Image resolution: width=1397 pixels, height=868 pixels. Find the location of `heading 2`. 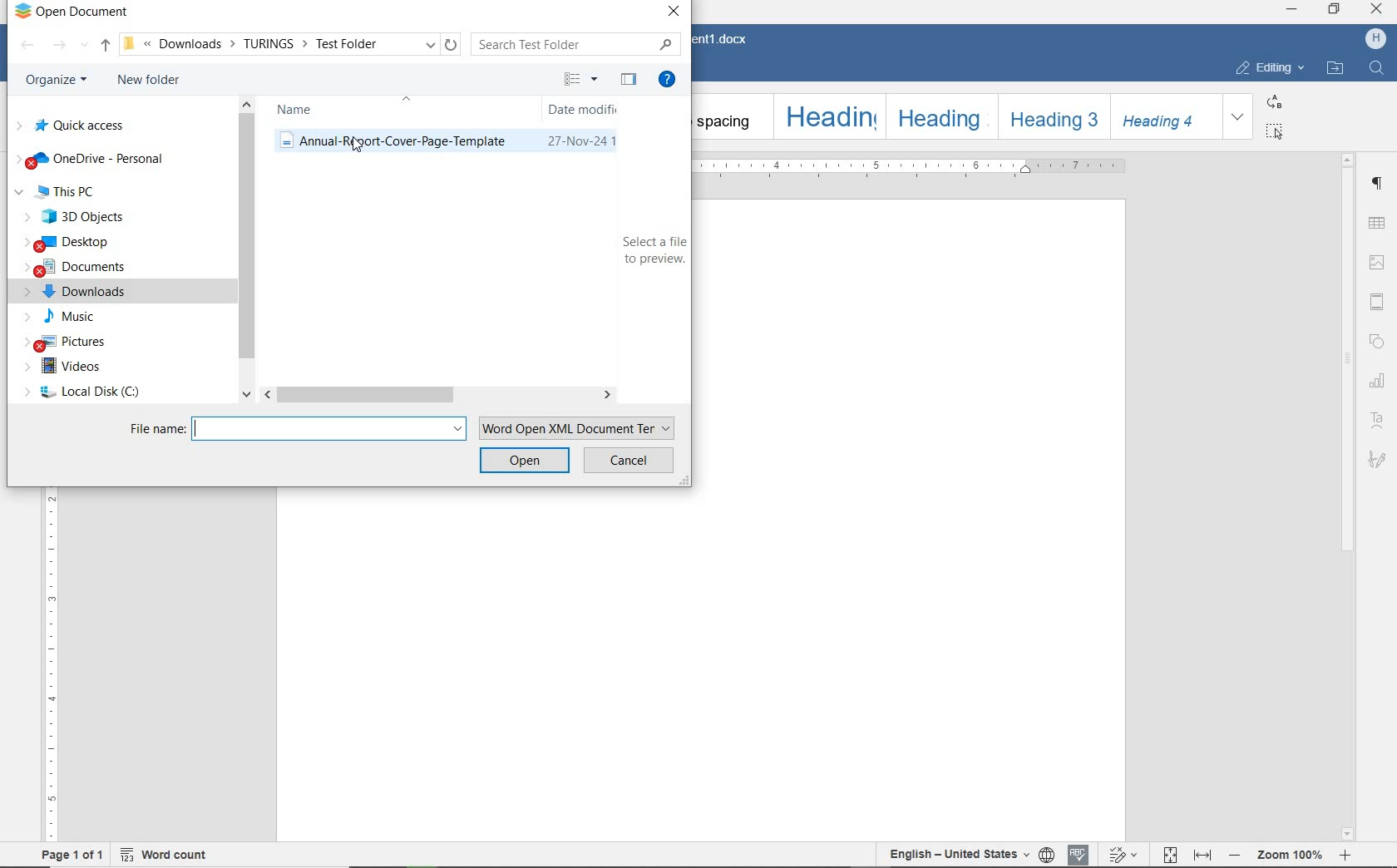

heading 2 is located at coordinates (940, 115).